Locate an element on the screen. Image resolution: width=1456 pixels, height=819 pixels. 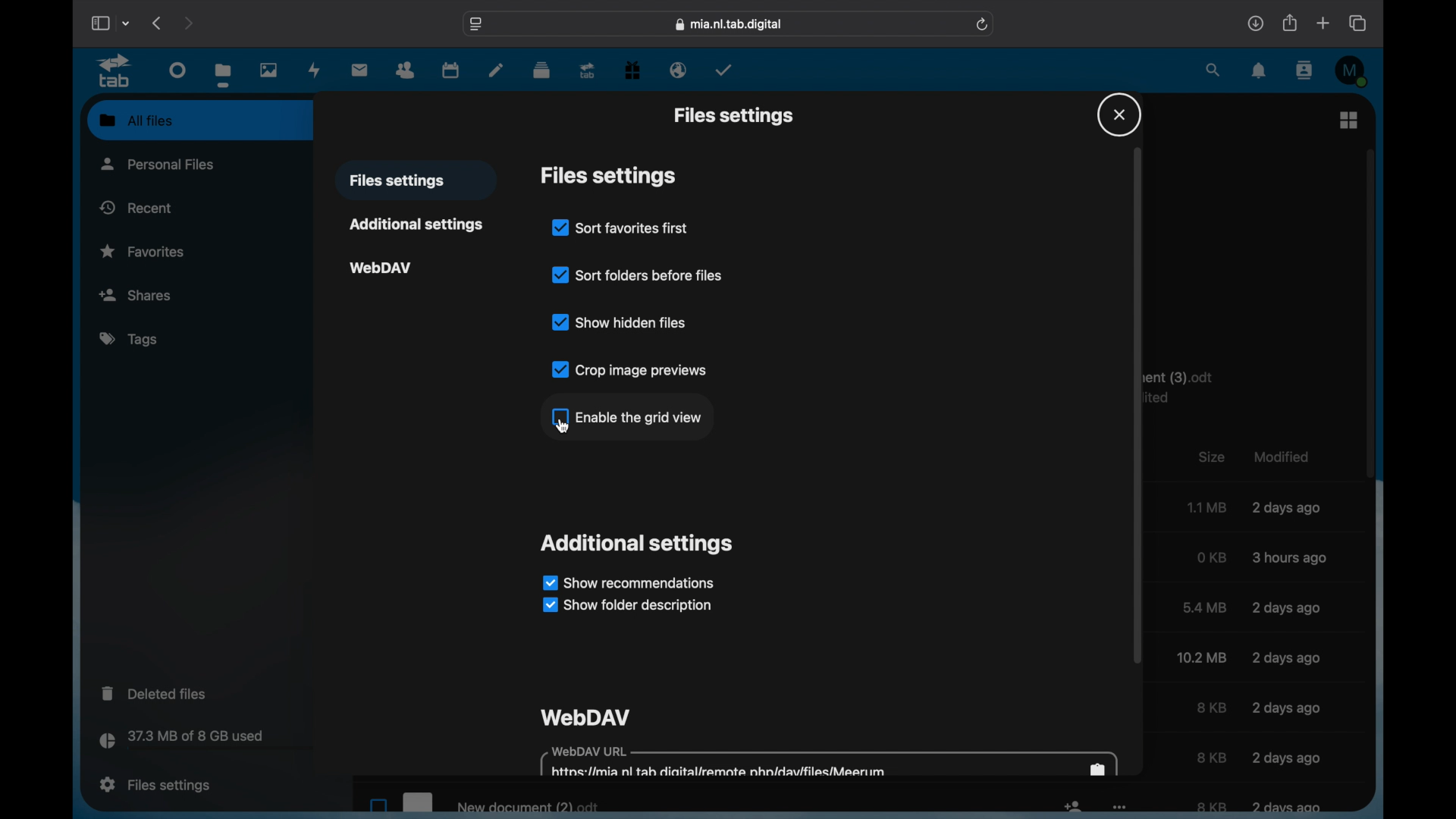
next is located at coordinates (188, 23).